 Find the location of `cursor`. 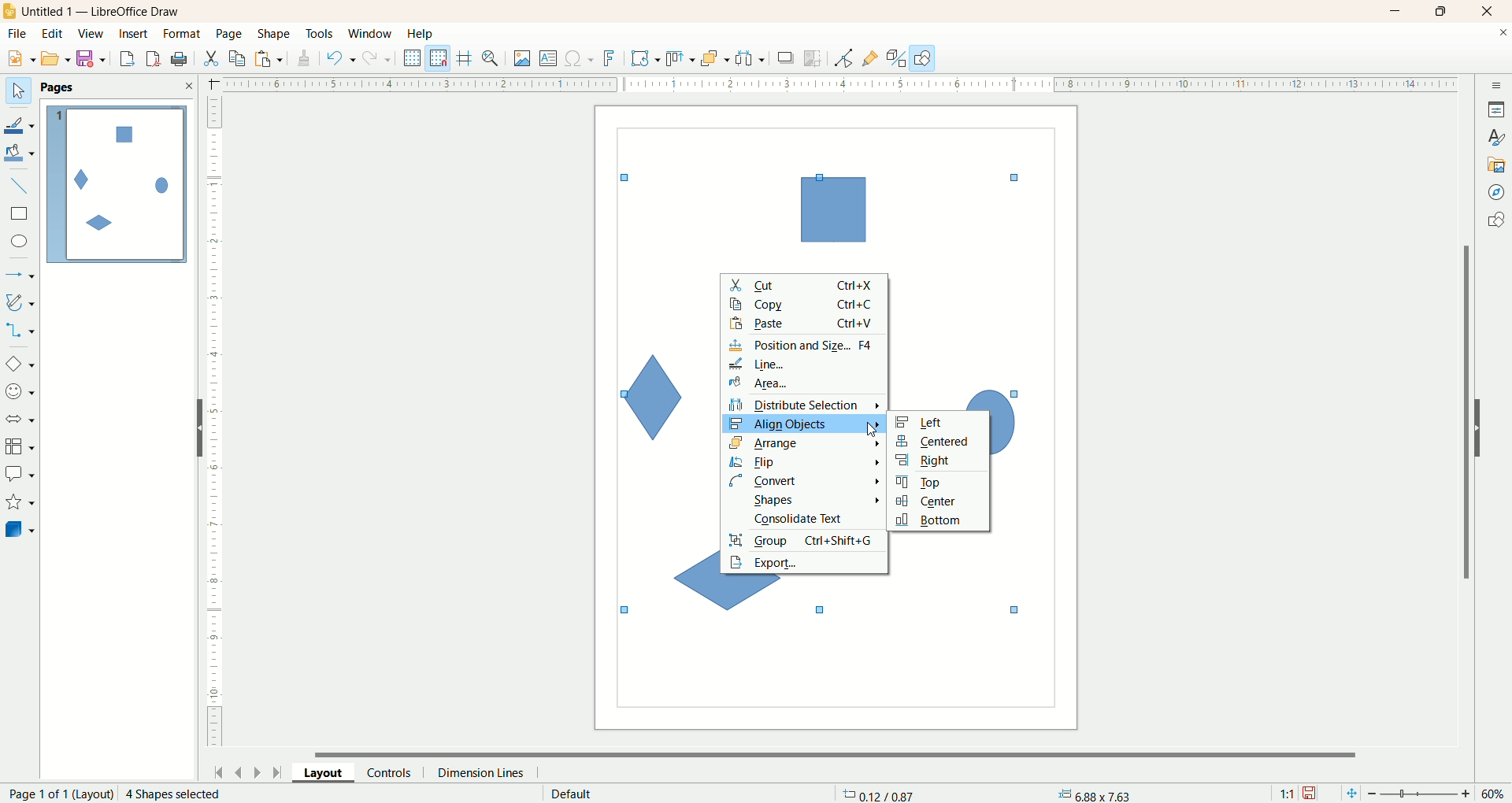

cursor is located at coordinates (873, 428).